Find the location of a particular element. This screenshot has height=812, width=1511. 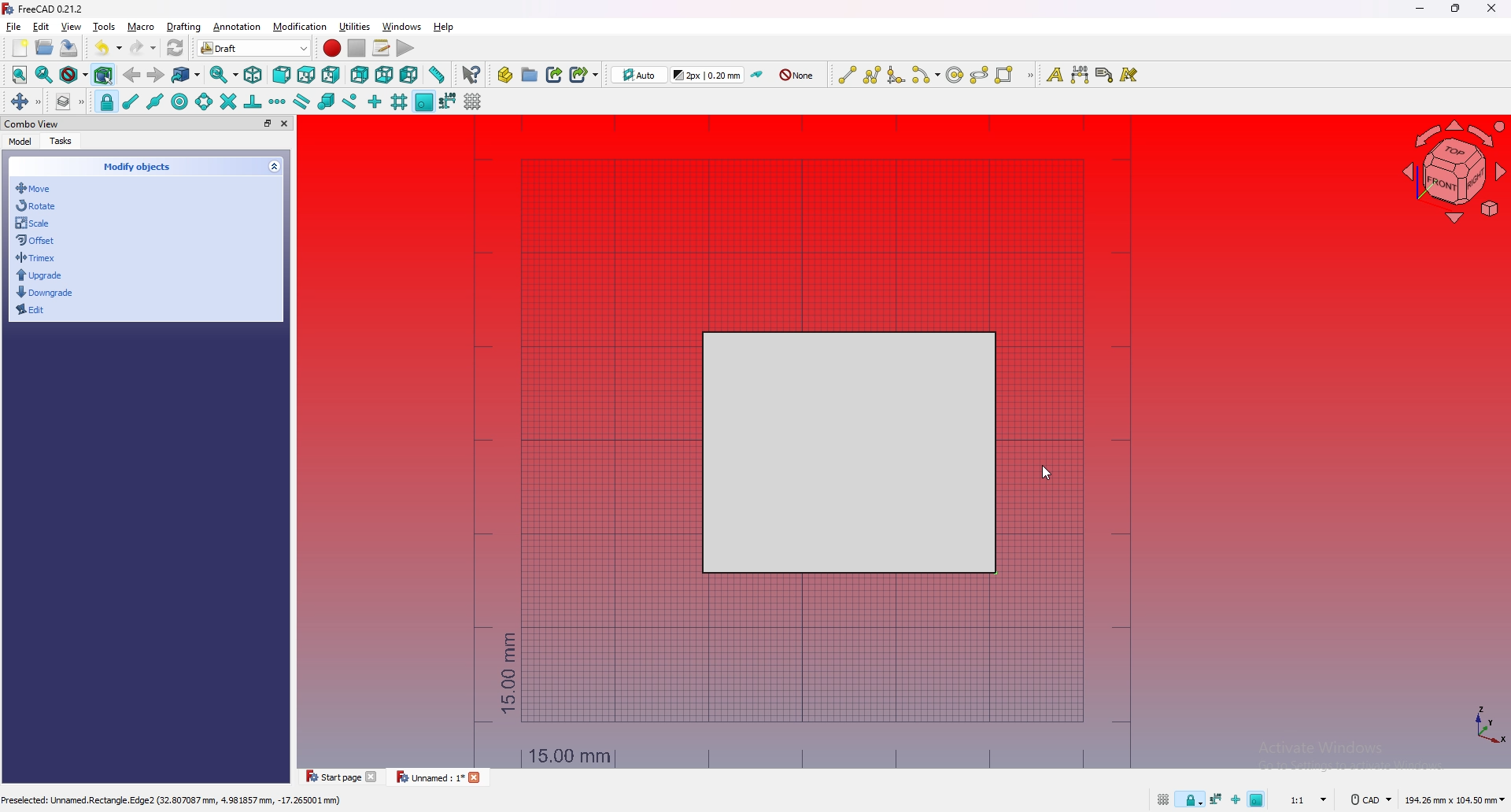

tasks is located at coordinates (63, 142).